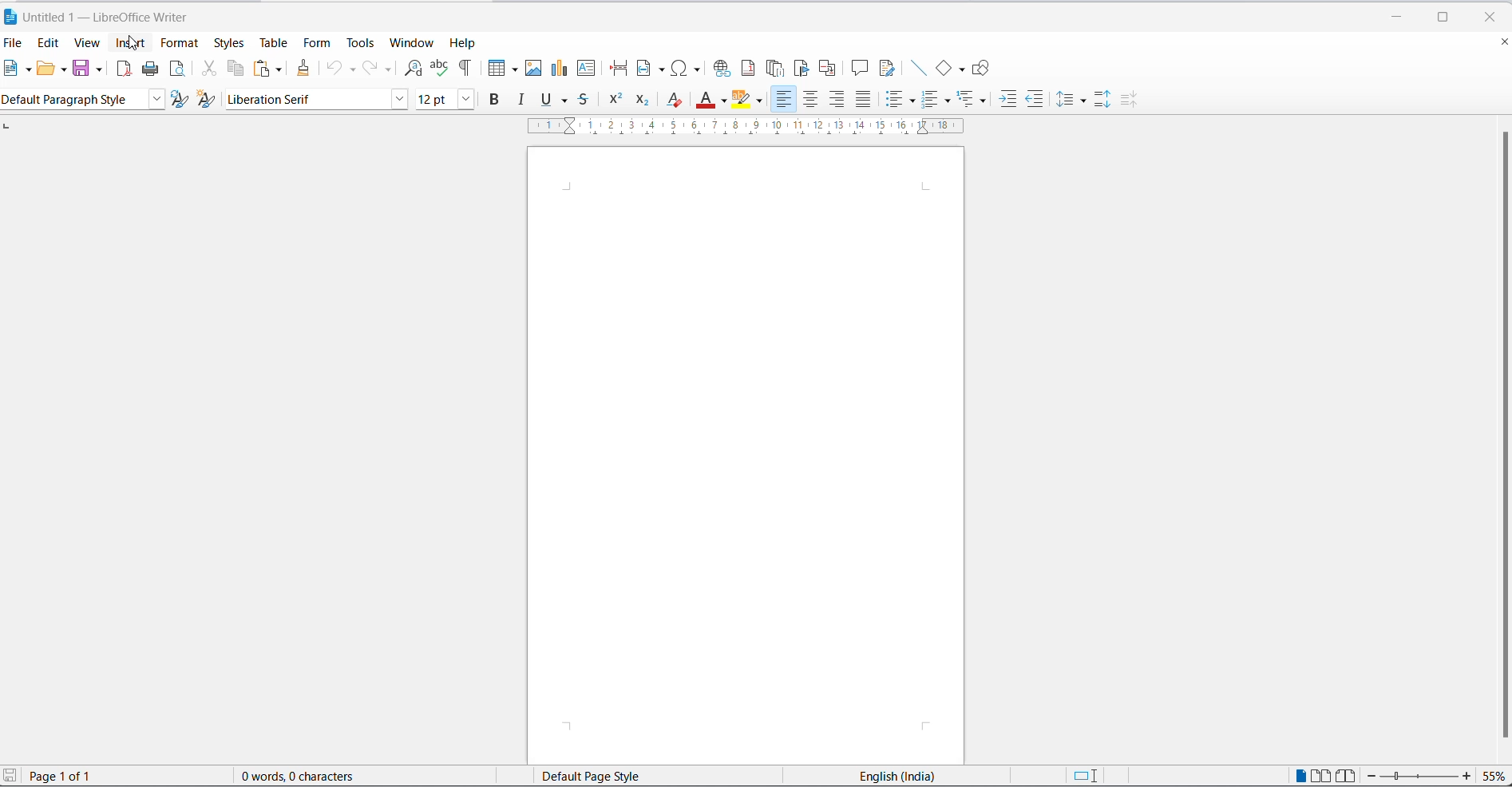 The width and height of the screenshot is (1512, 787). Describe the element at coordinates (319, 43) in the screenshot. I see `form` at that location.